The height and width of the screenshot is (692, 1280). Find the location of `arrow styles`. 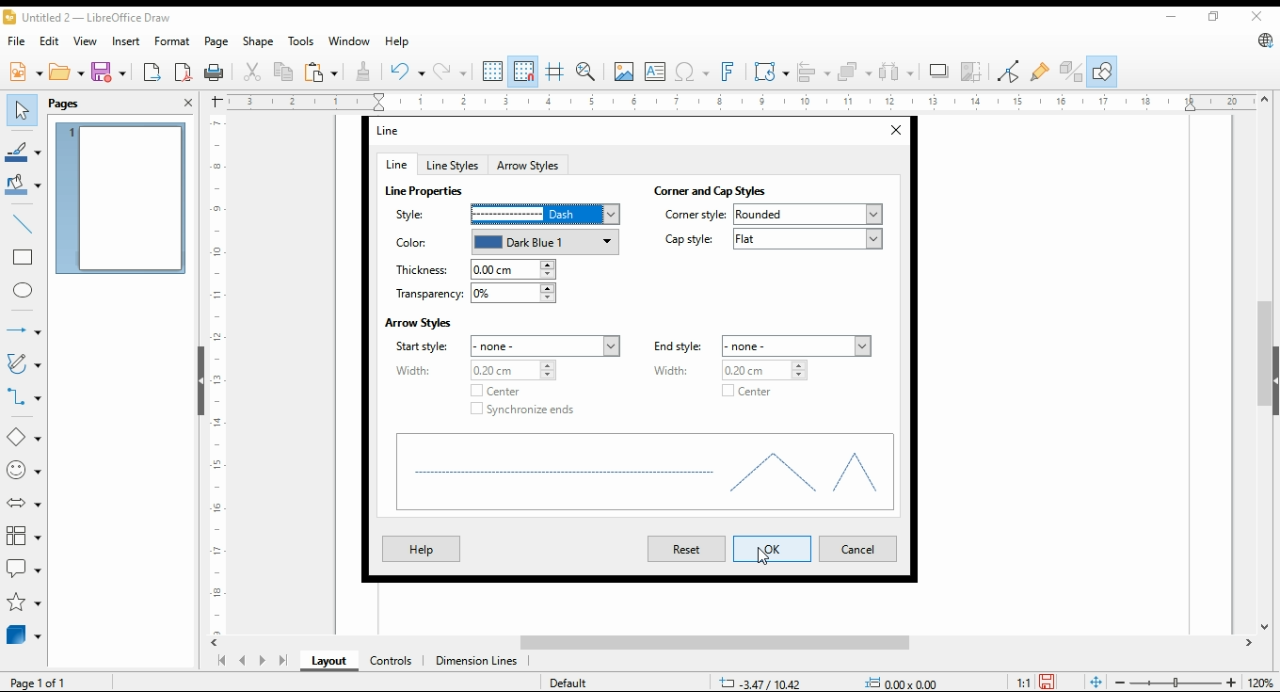

arrow styles is located at coordinates (418, 321).